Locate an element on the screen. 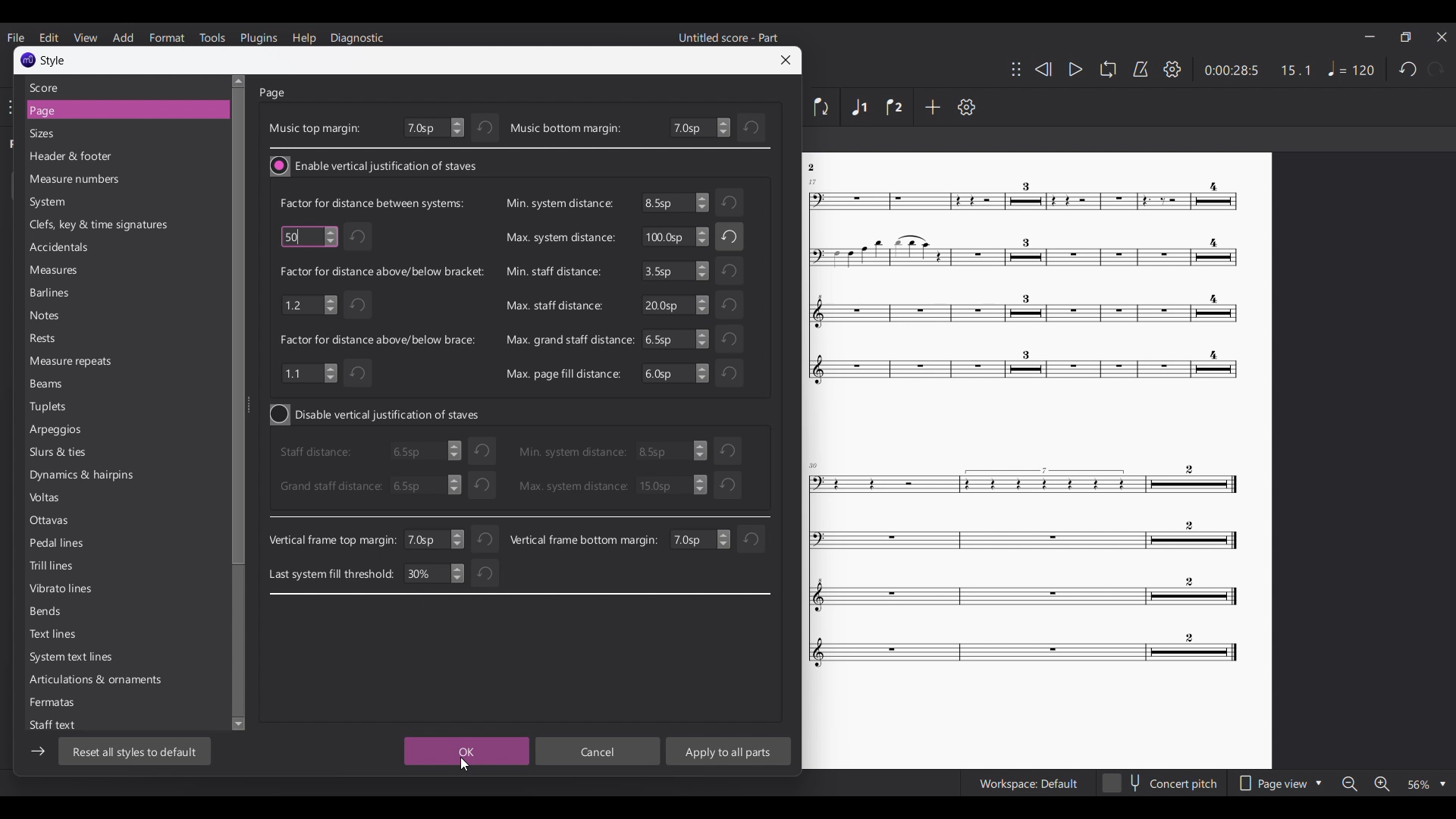 This screenshot has height=819, width=1456. Page is located at coordinates (274, 93).